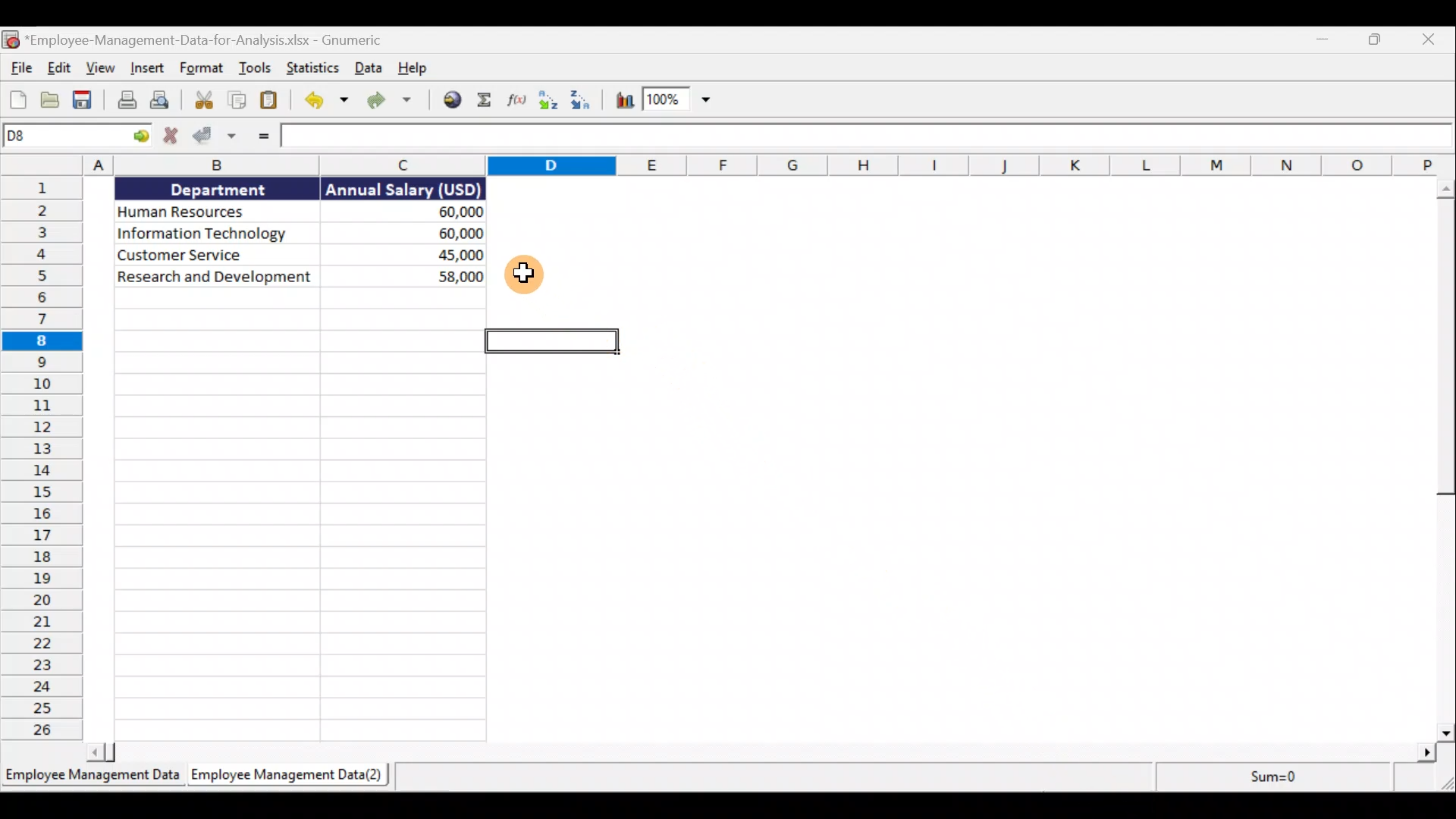  What do you see at coordinates (270, 99) in the screenshot?
I see `Paste` at bounding box center [270, 99].